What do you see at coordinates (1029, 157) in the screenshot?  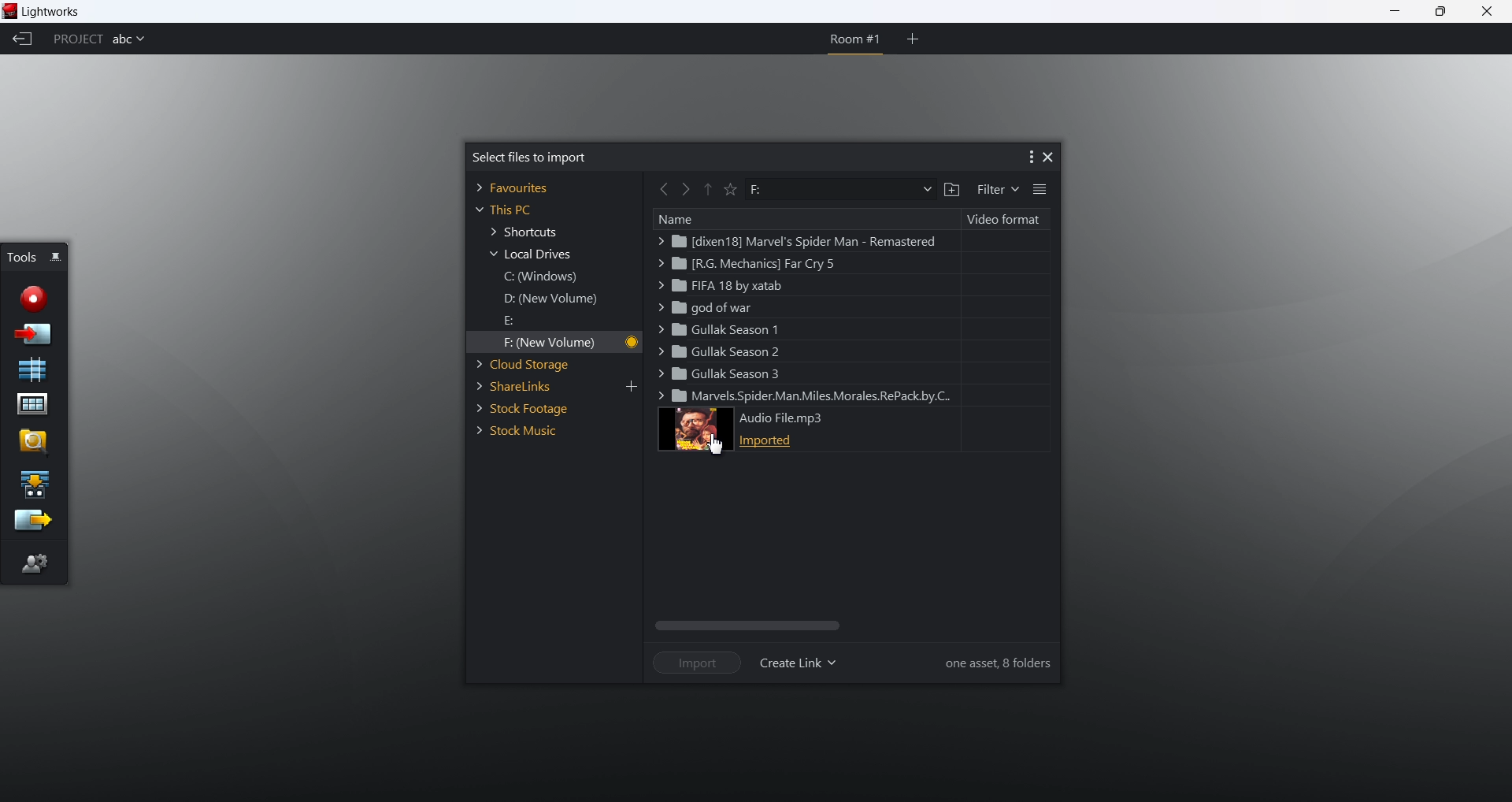 I see `more` at bounding box center [1029, 157].